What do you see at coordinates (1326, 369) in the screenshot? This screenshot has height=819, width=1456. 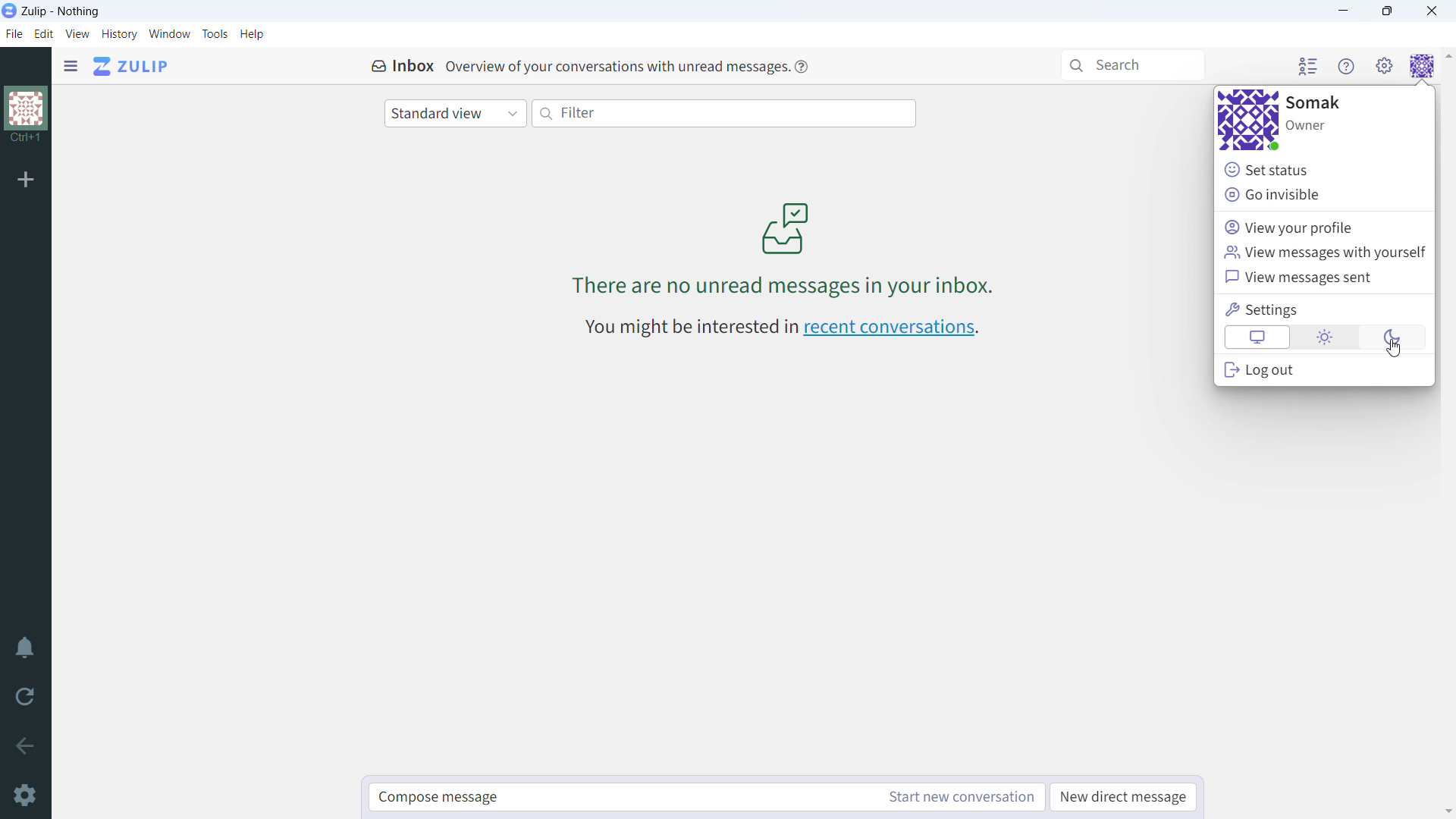 I see `log out` at bounding box center [1326, 369].